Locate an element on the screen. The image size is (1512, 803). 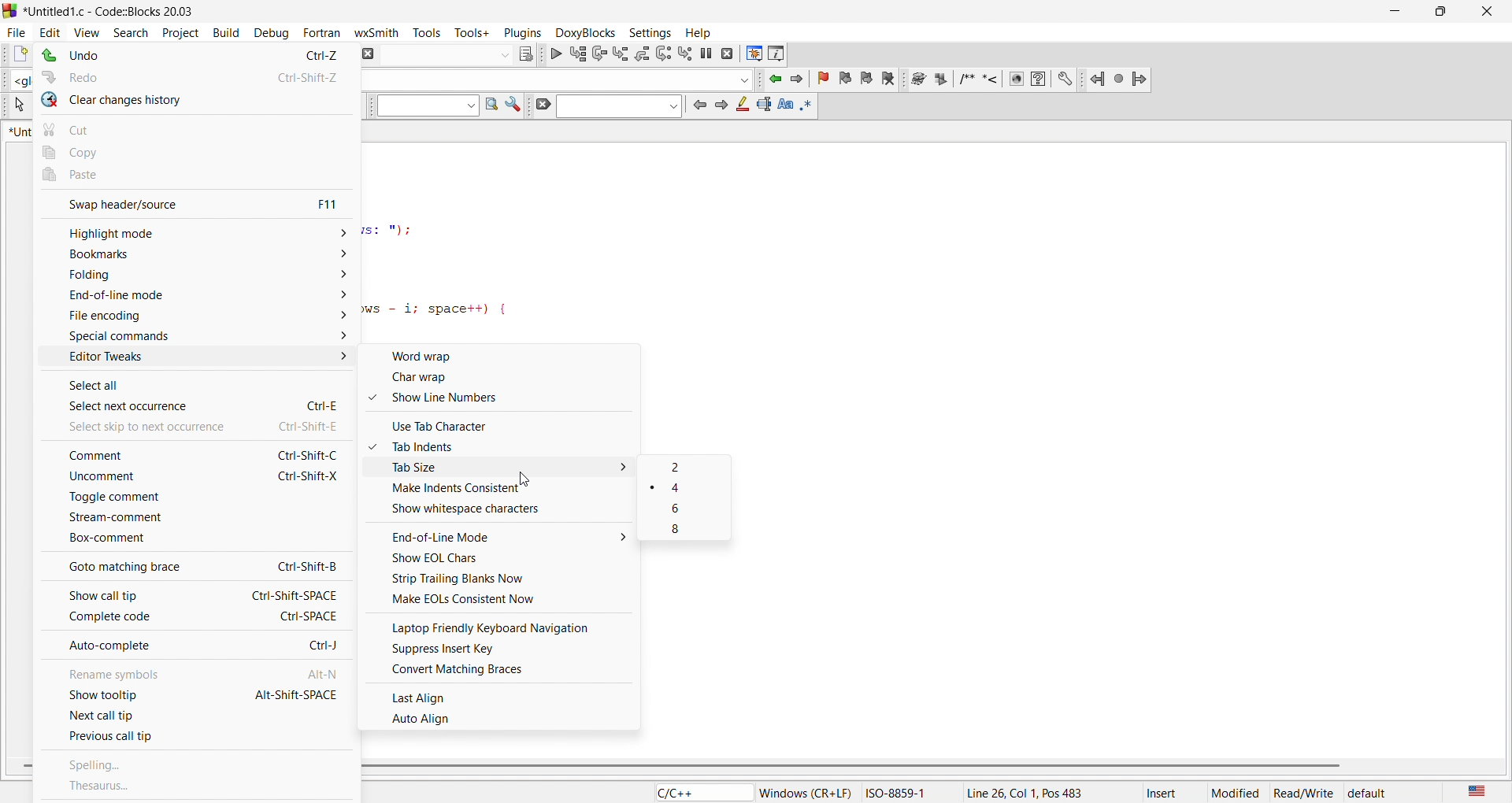
end of line mode is located at coordinates (506, 536).